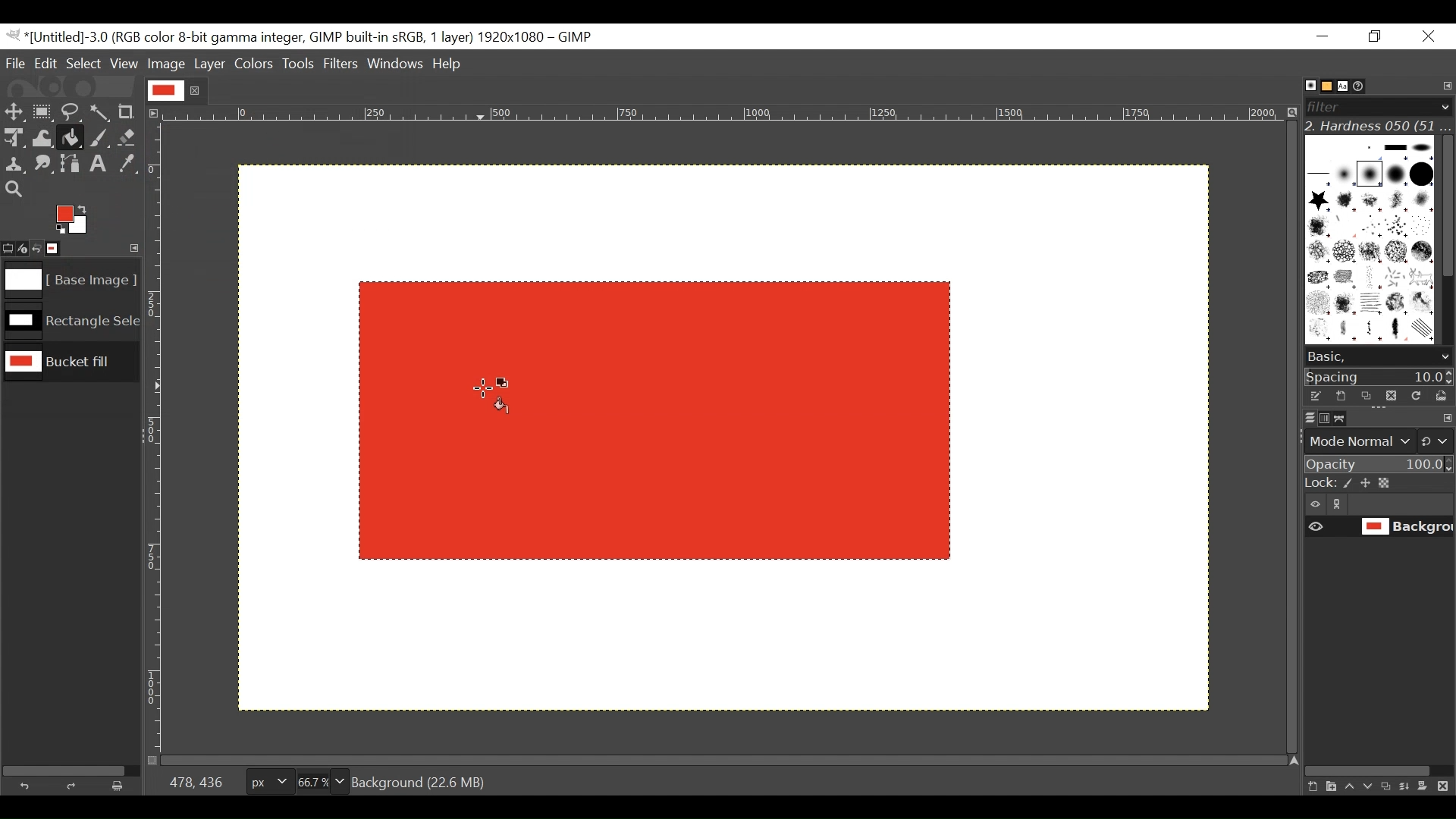 This screenshot has height=819, width=1456. Describe the element at coordinates (1323, 36) in the screenshot. I see `Minimize` at that location.